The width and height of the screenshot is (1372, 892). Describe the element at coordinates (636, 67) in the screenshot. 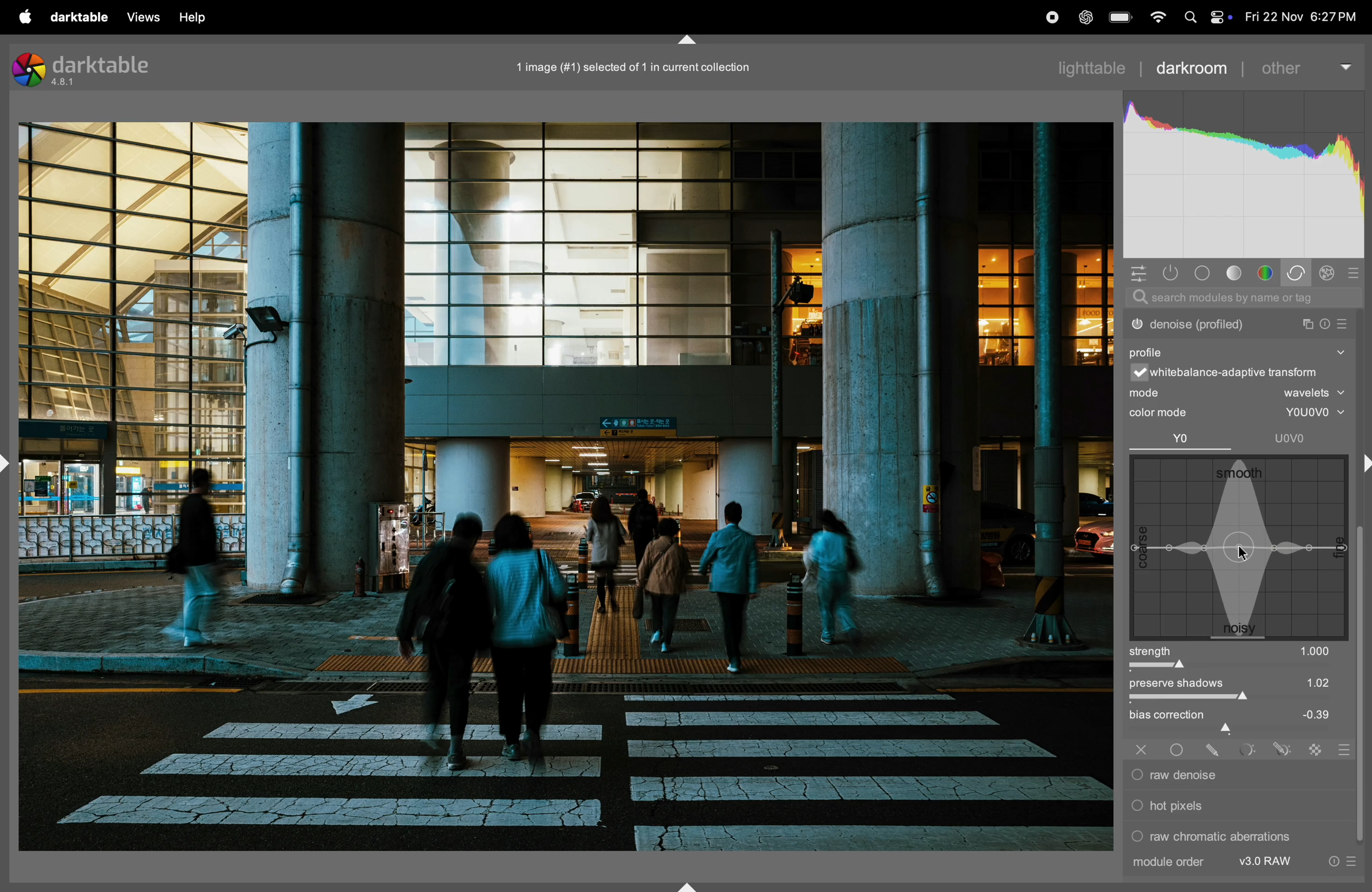

I see `1 imge selected` at that location.